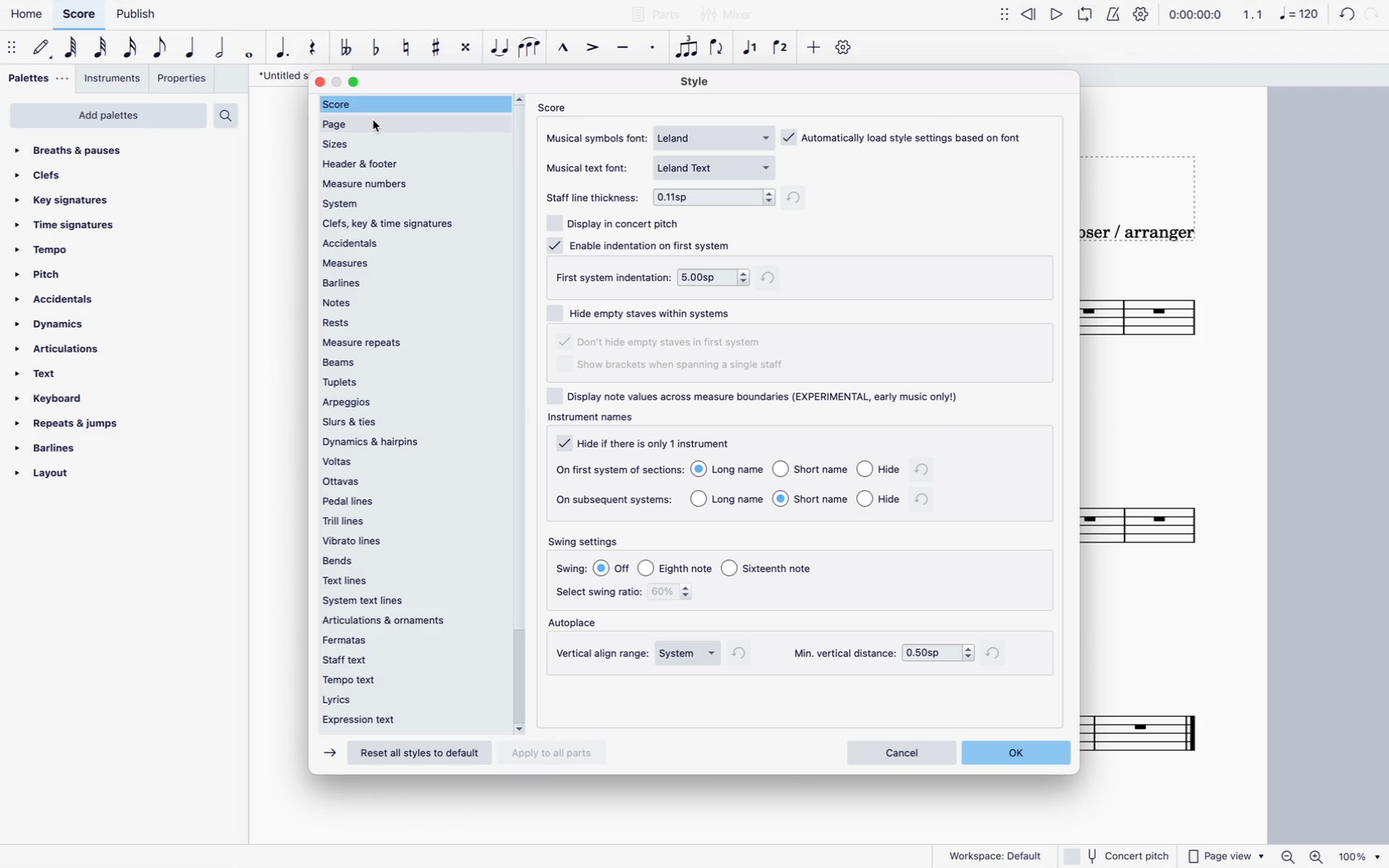 This screenshot has width=1389, height=868. What do you see at coordinates (717, 136) in the screenshot?
I see `font` at bounding box center [717, 136].